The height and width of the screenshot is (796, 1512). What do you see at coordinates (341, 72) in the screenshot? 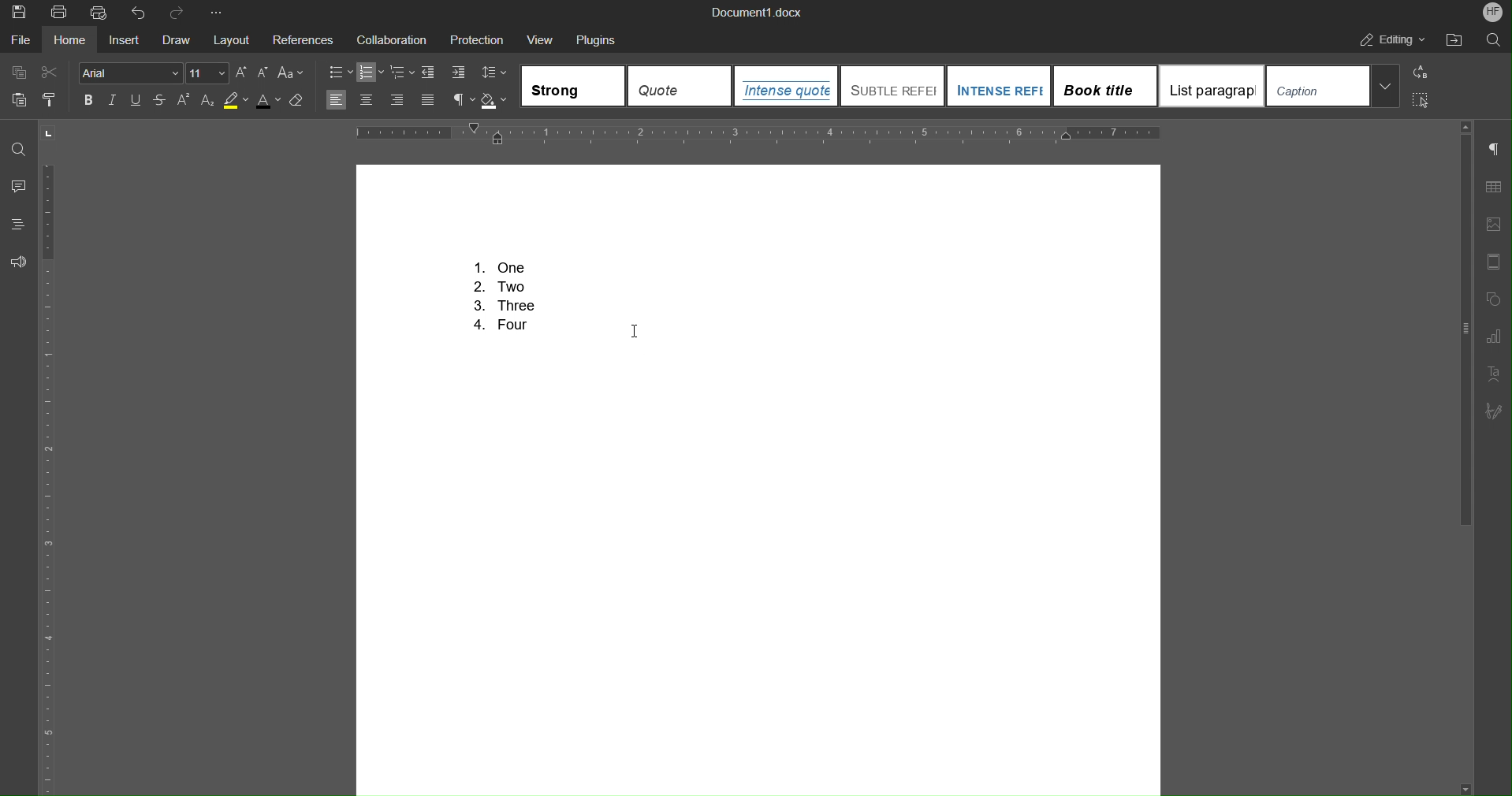
I see `Bullet List` at bounding box center [341, 72].